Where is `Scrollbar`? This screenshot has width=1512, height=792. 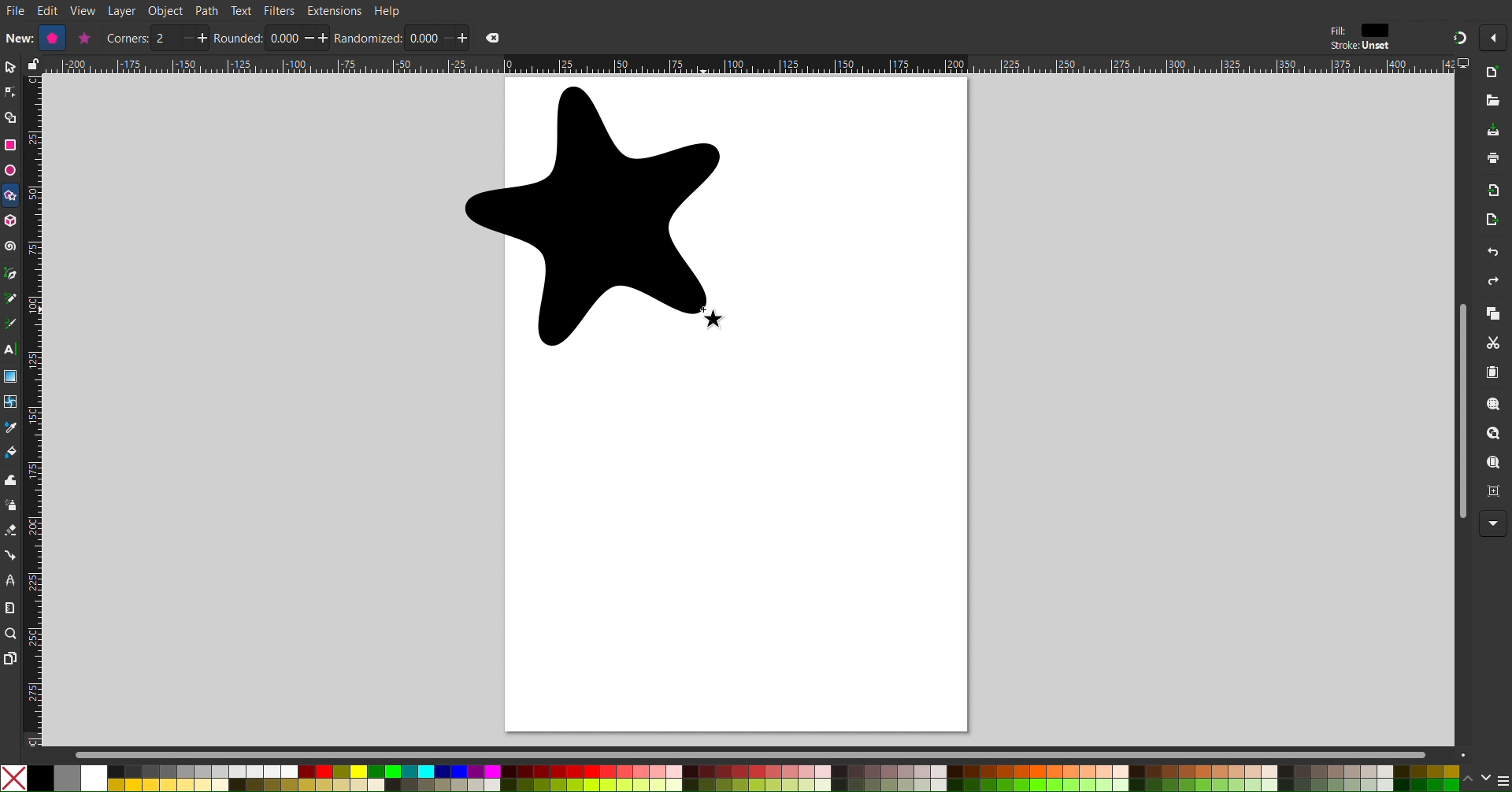
Scrollbar is located at coordinates (1458, 410).